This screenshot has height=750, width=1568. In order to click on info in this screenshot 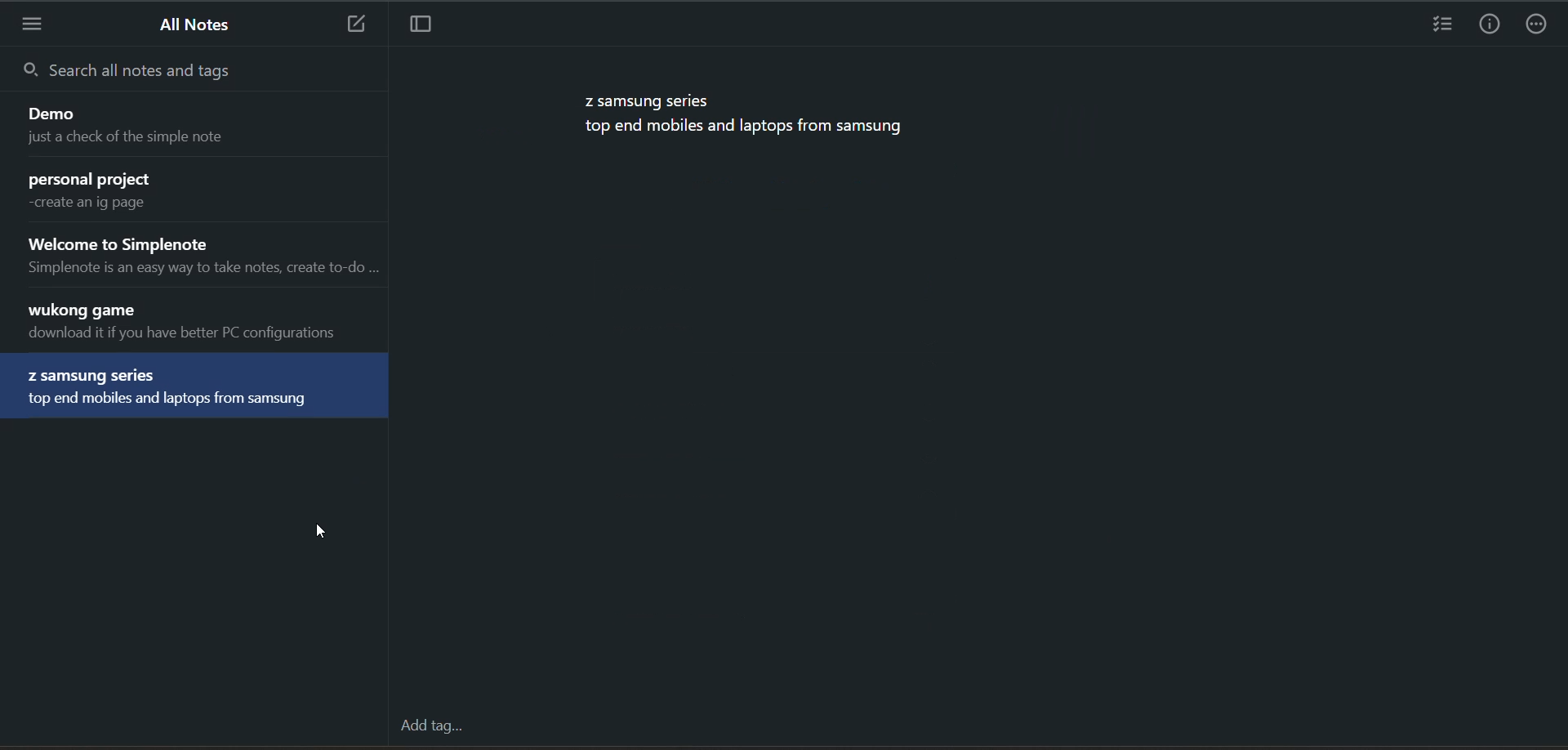, I will do `click(1489, 25)`.